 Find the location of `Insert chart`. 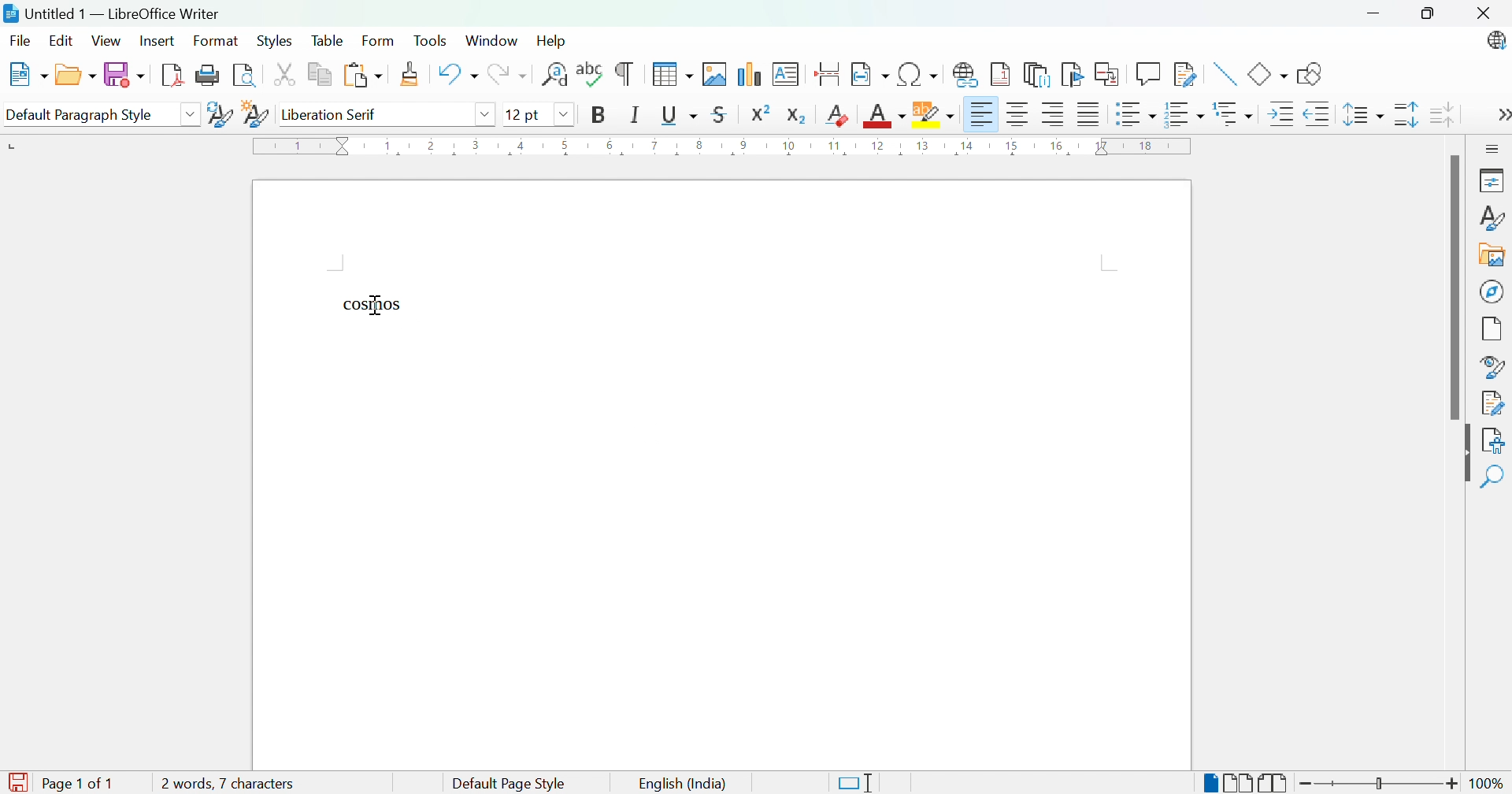

Insert chart is located at coordinates (747, 75).